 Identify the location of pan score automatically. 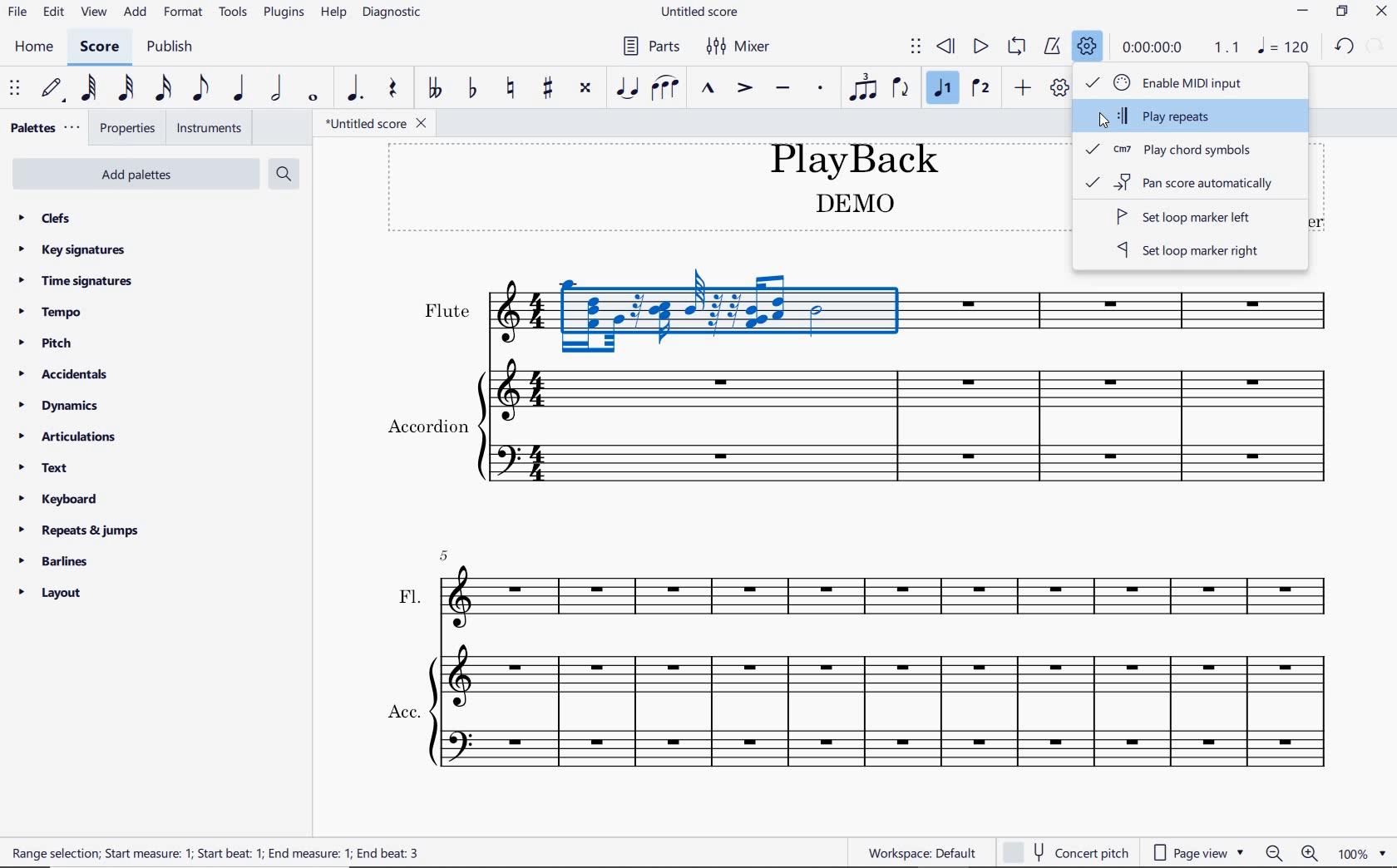
(1190, 180).